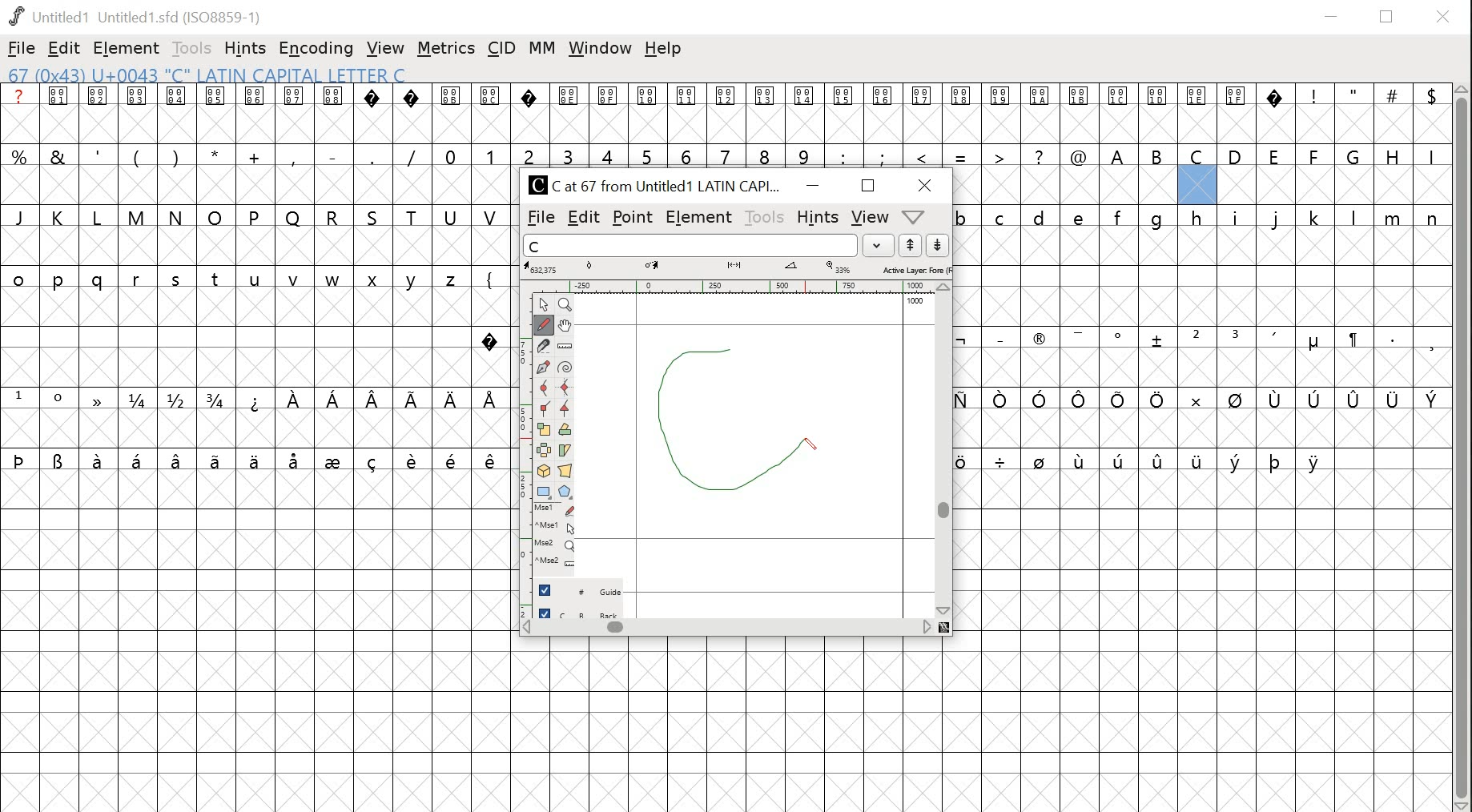 The image size is (1472, 812). Describe the element at coordinates (568, 304) in the screenshot. I see `zoom` at that location.